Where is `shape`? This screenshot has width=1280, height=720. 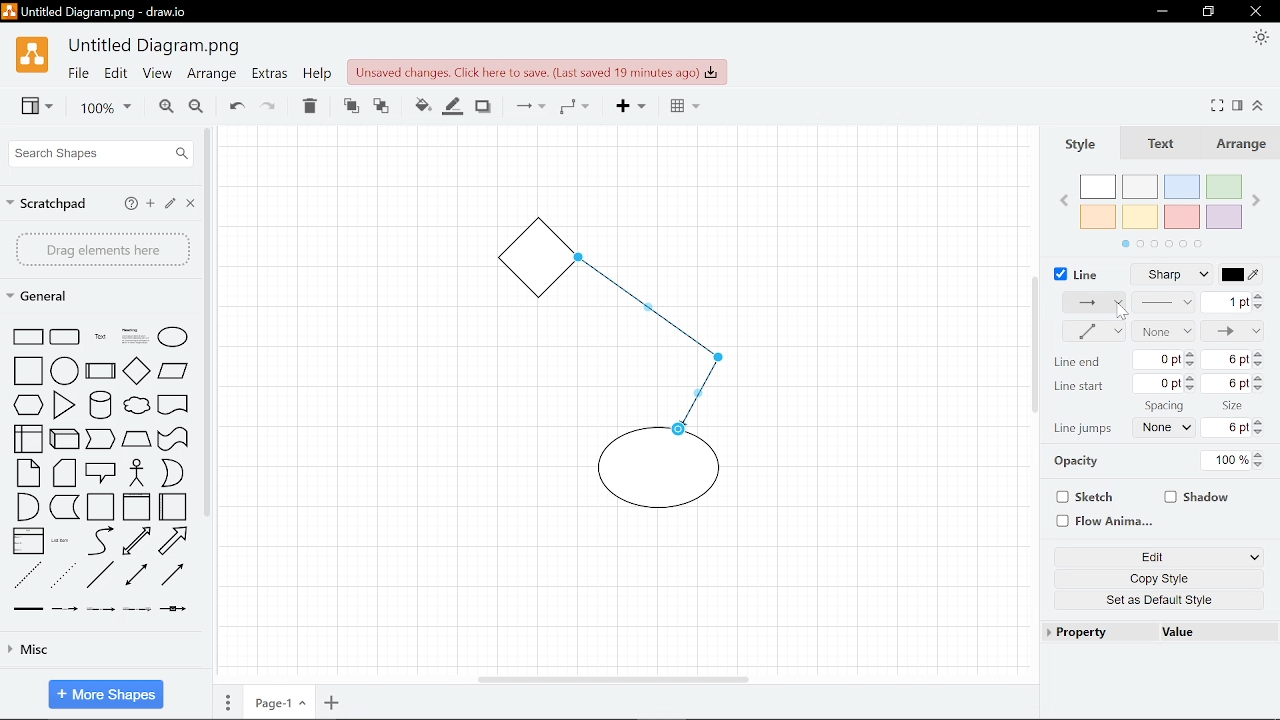
shape is located at coordinates (136, 336).